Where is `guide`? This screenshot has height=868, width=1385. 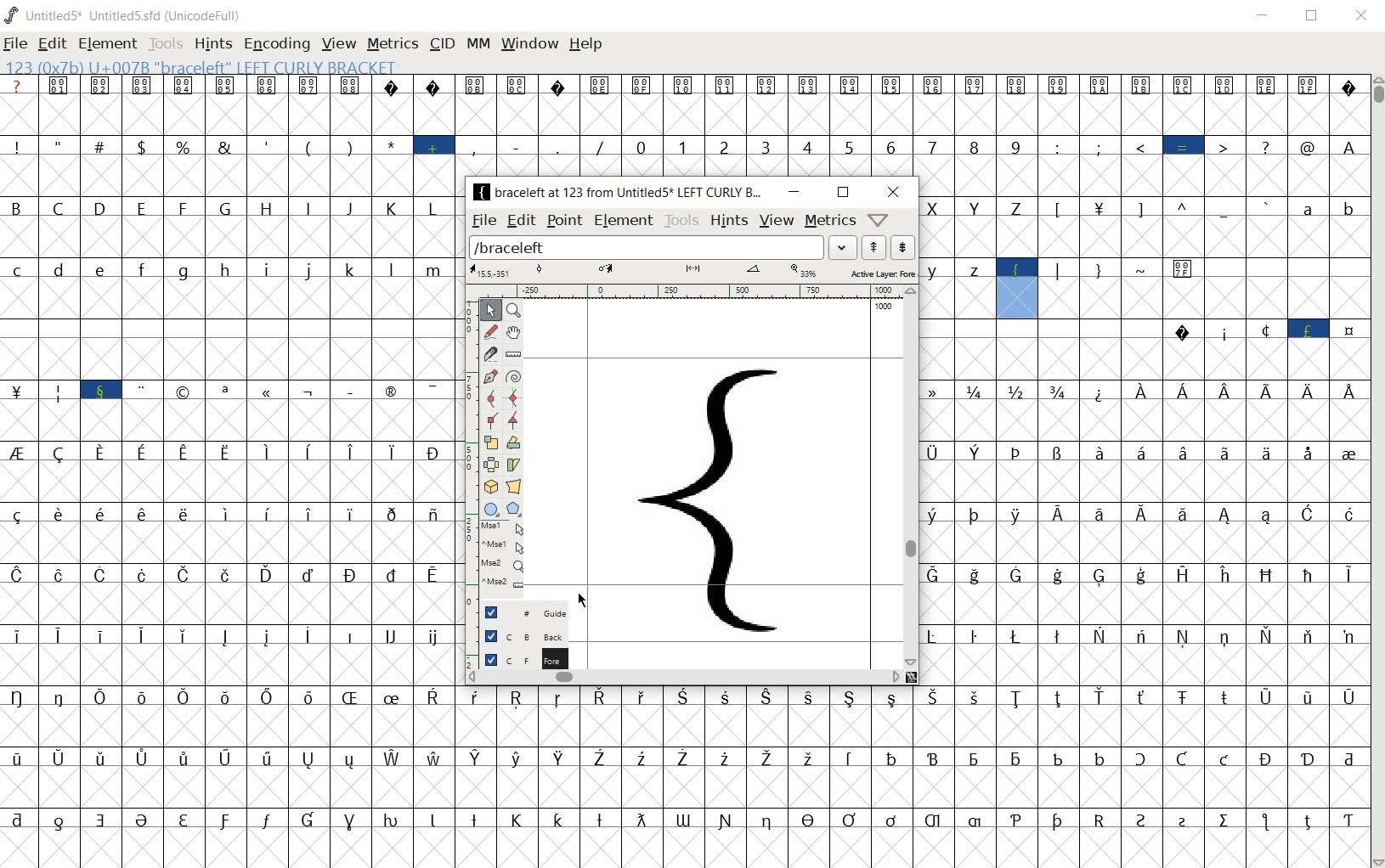 guide is located at coordinates (518, 614).